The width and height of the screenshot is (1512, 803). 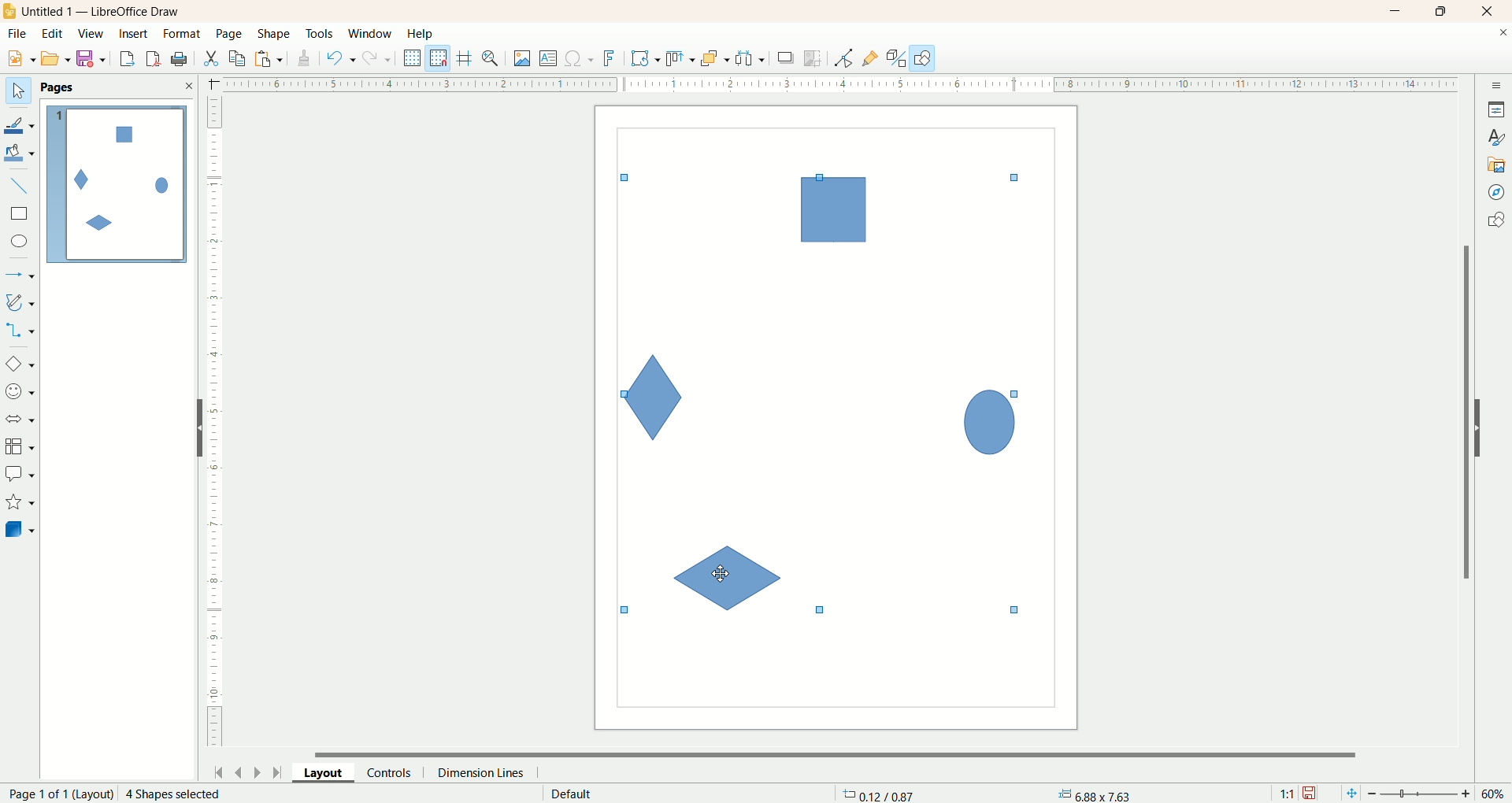 I want to click on line color, so click(x=20, y=124).